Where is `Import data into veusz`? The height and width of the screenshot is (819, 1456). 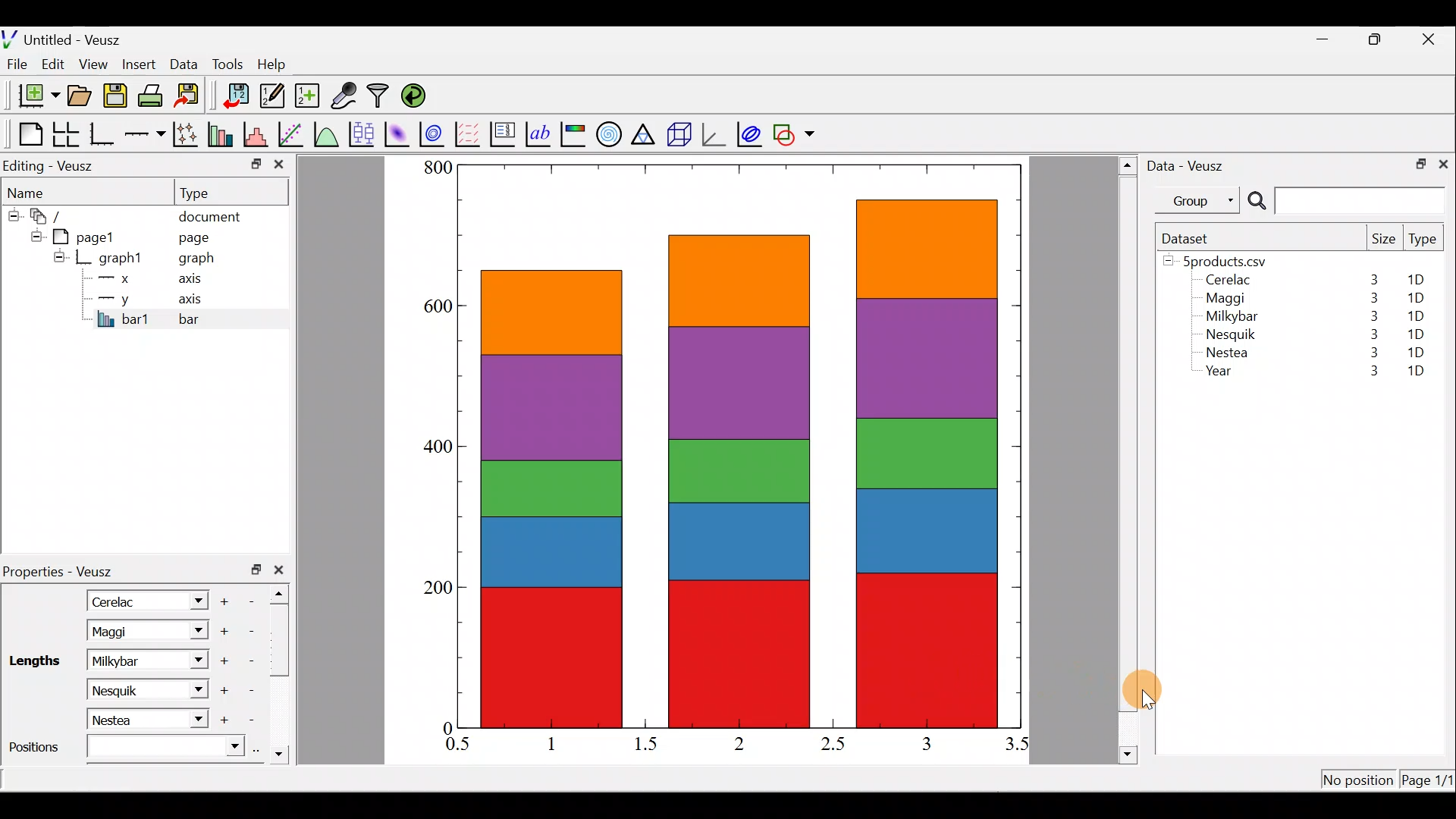 Import data into veusz is located at coordinates (237, 96).